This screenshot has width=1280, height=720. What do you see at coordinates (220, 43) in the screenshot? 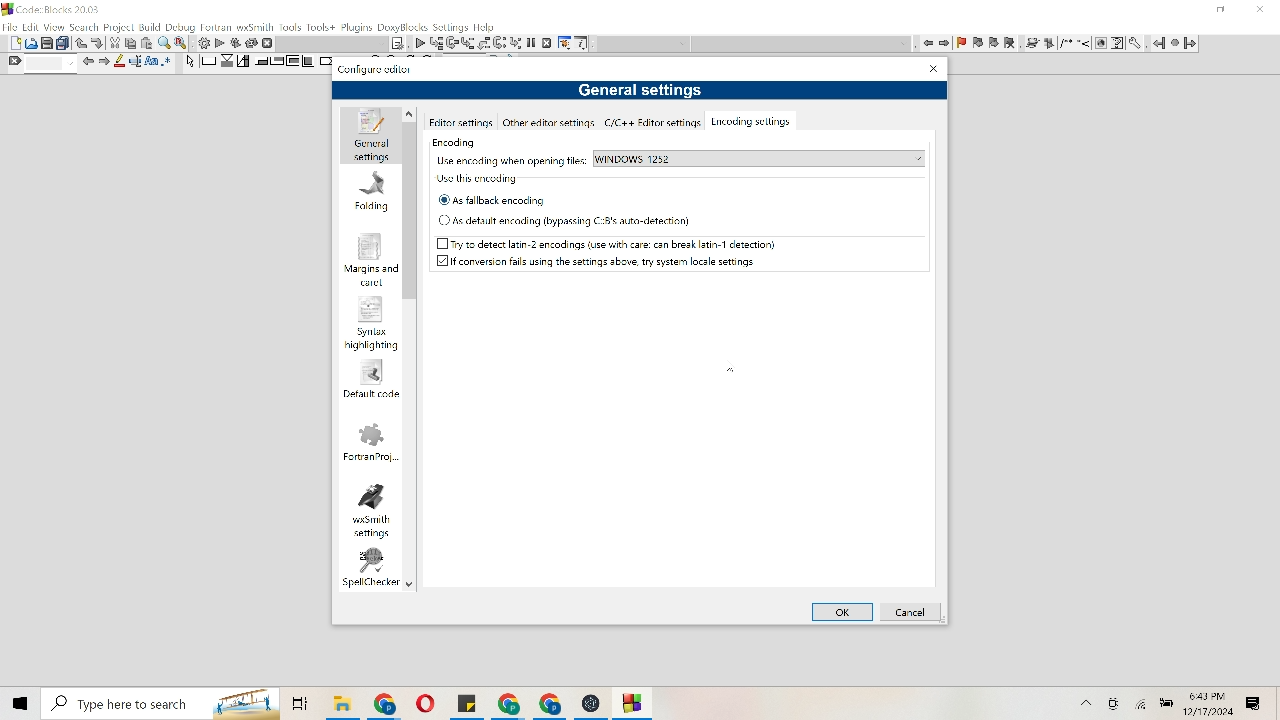
I see `Play` at bounding box center [220, 43].